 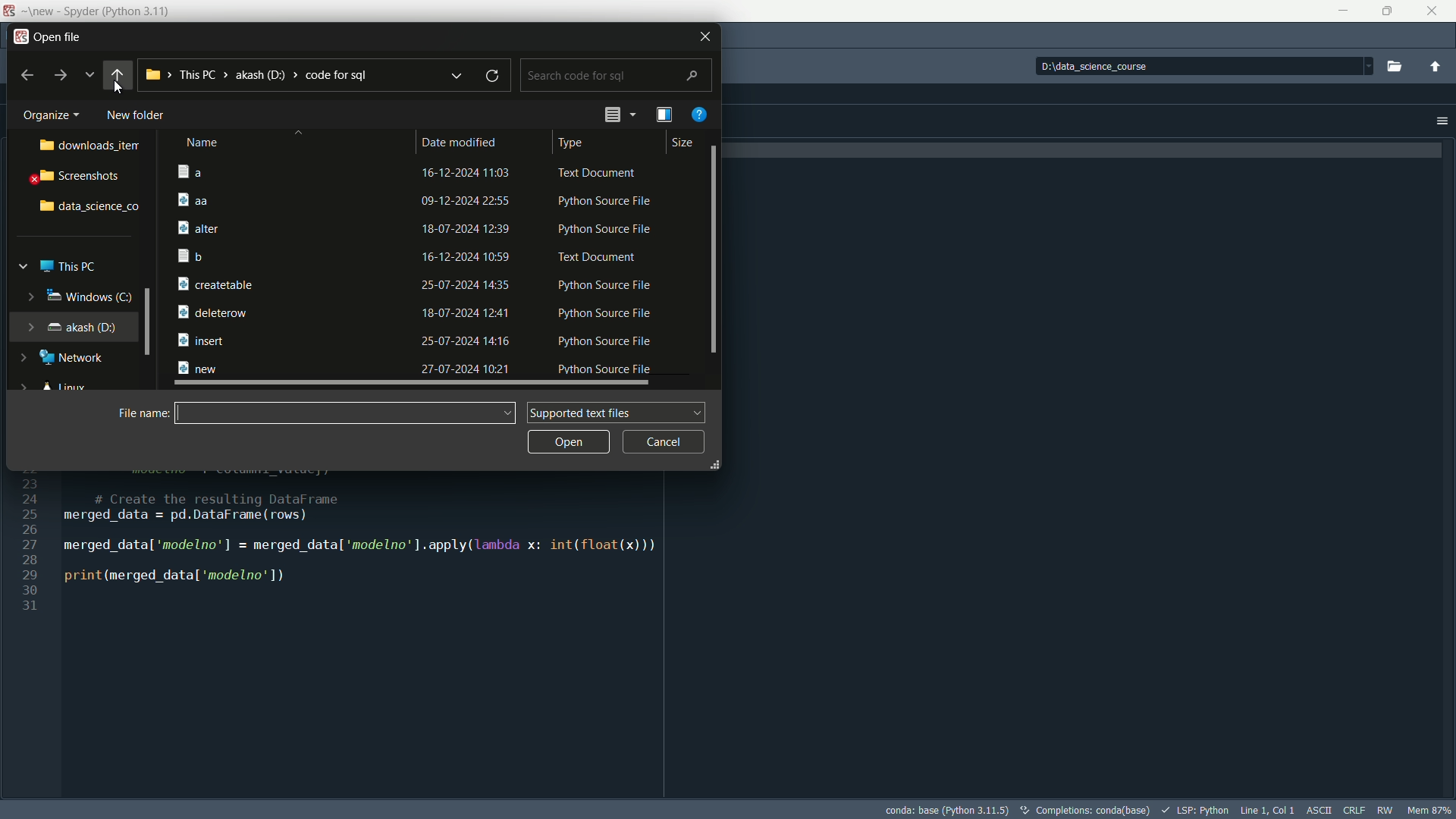 I want to click on new, so click(x=198, y=369).